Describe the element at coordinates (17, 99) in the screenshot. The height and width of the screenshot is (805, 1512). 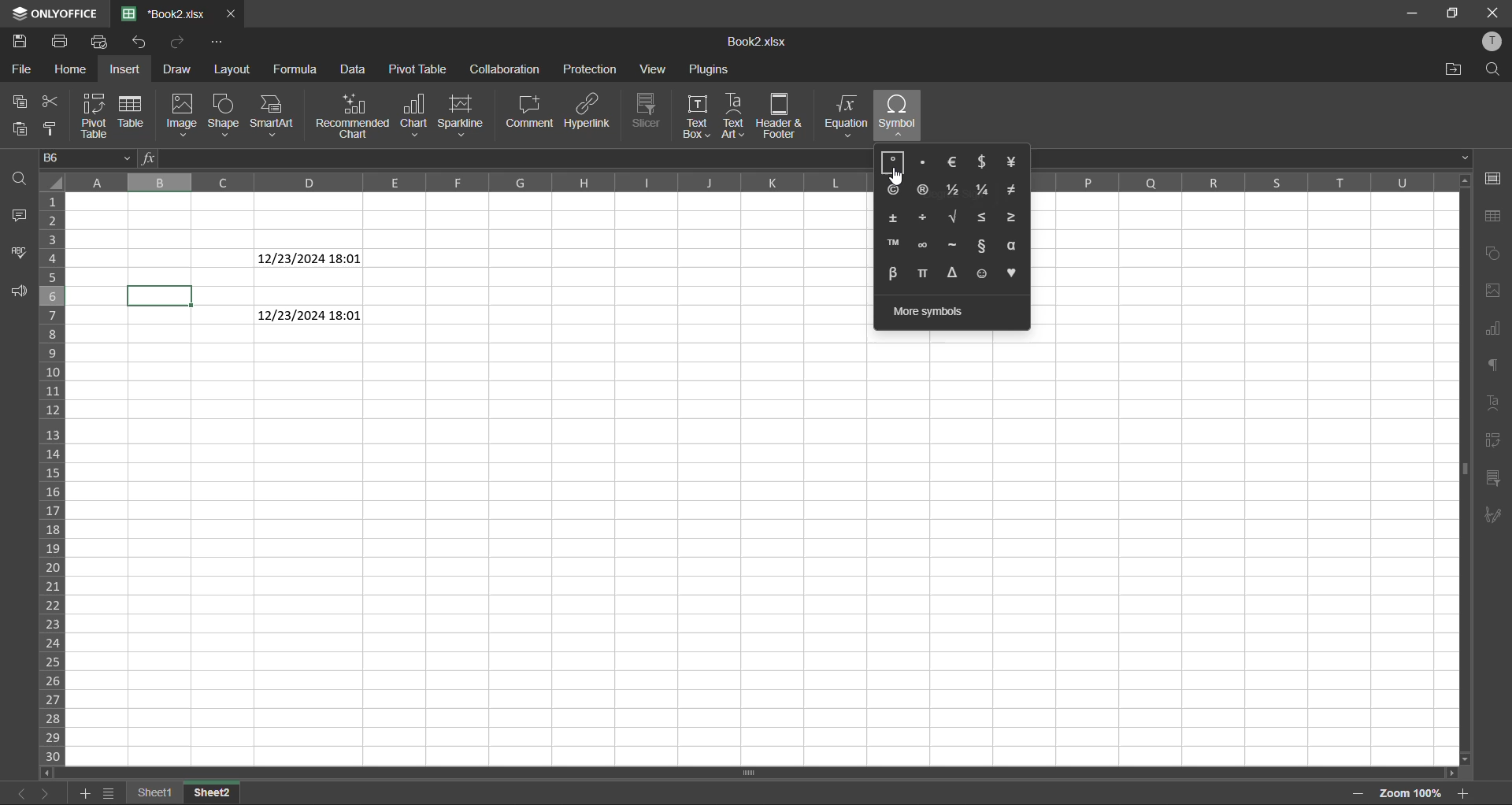
I see `copy ` at that location.